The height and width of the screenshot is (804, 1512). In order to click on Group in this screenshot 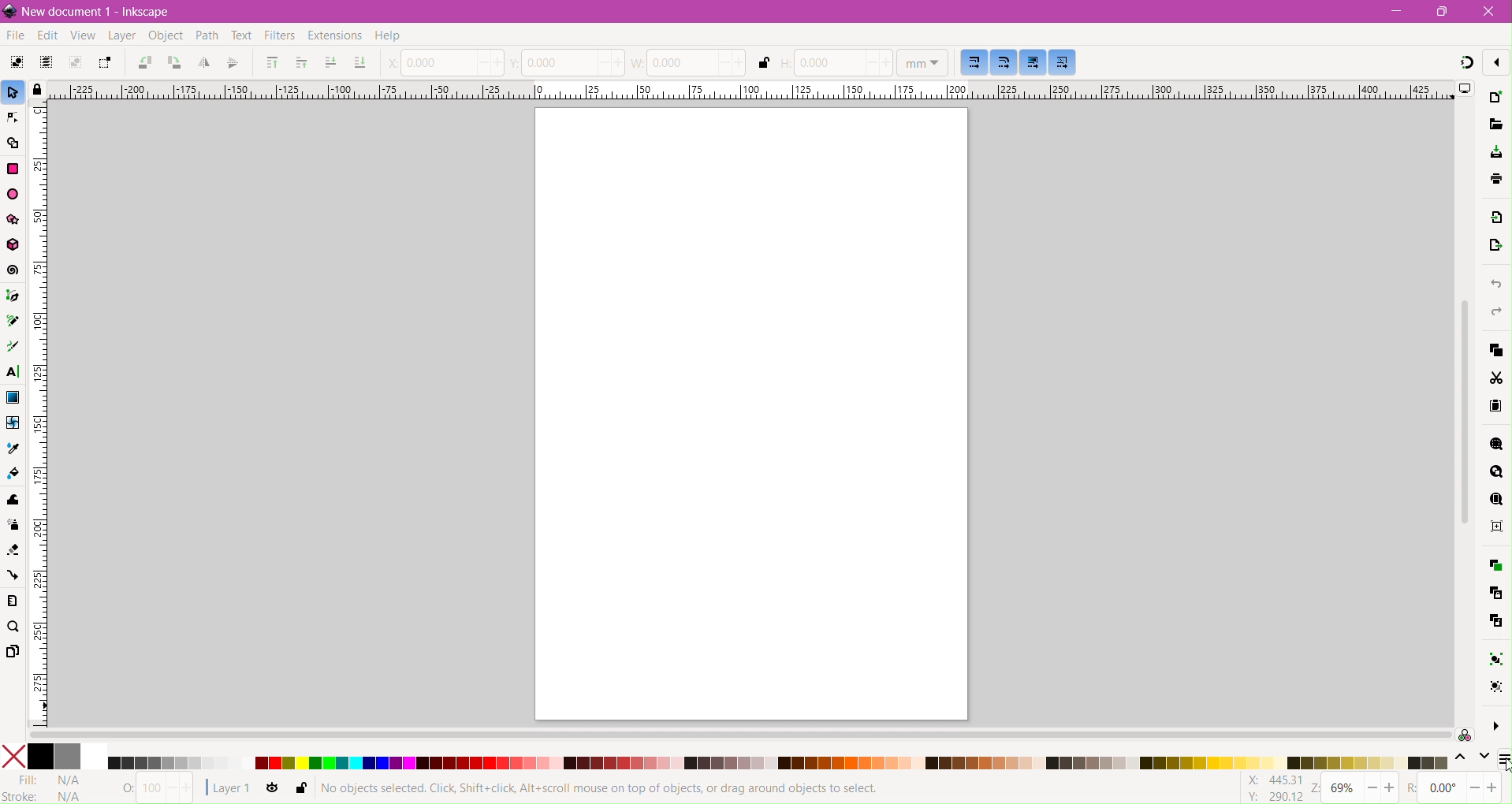, I will do `click(1492, 657)`.